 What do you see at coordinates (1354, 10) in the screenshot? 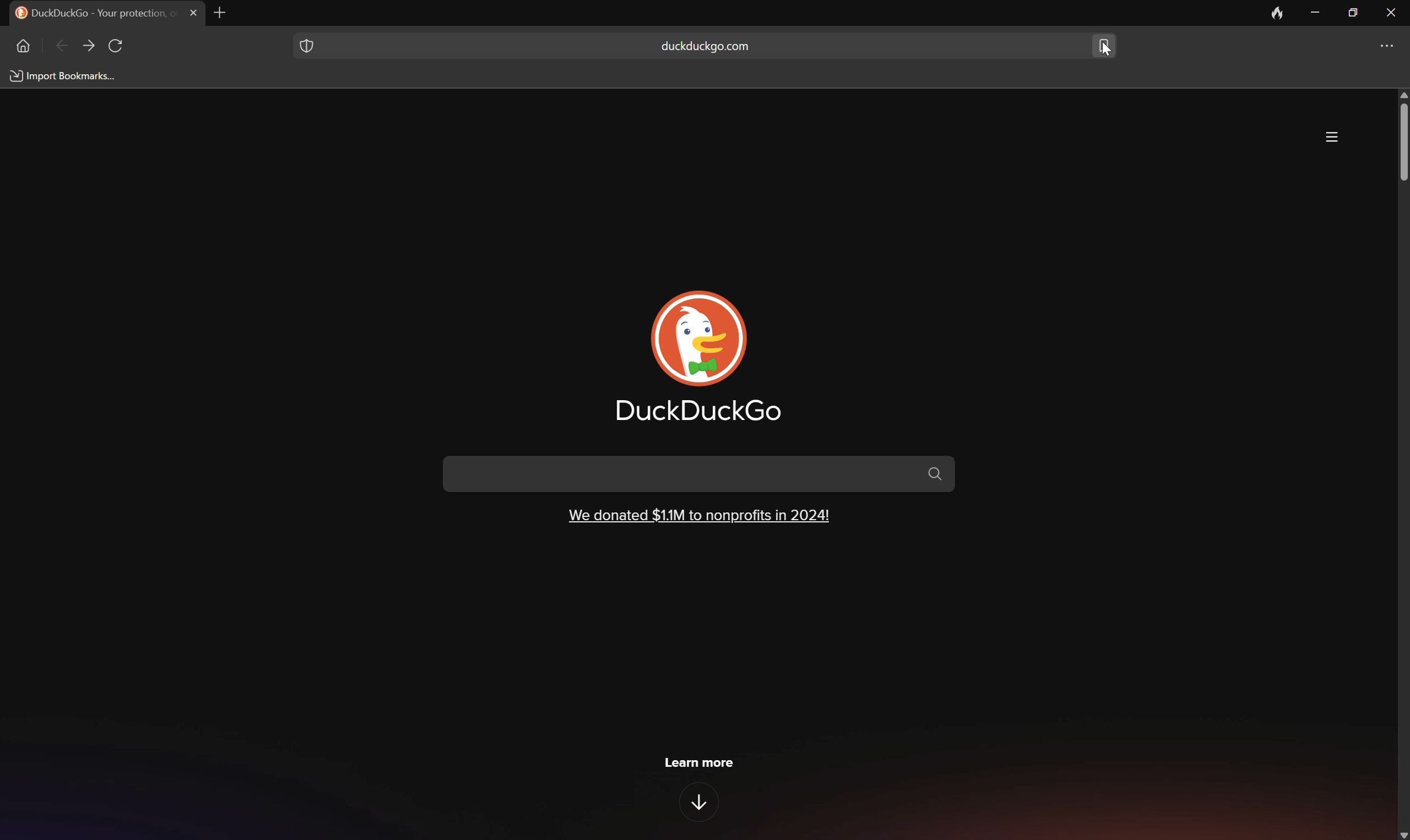
I see `Restore Down` at bounding box center [1354, 10].